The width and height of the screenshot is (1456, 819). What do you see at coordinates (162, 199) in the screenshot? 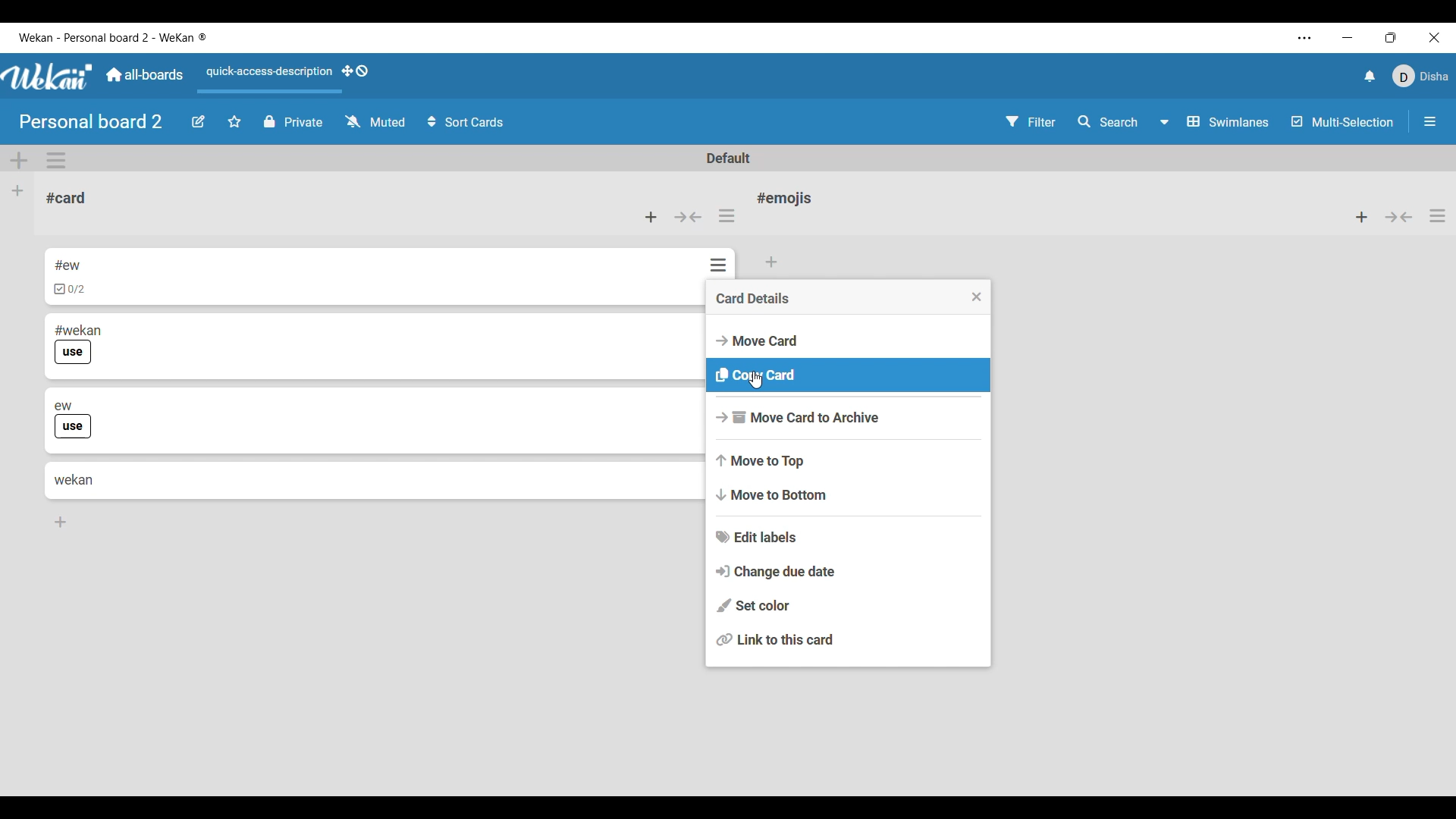
I see `Current list` at bounding box center [162, 199].